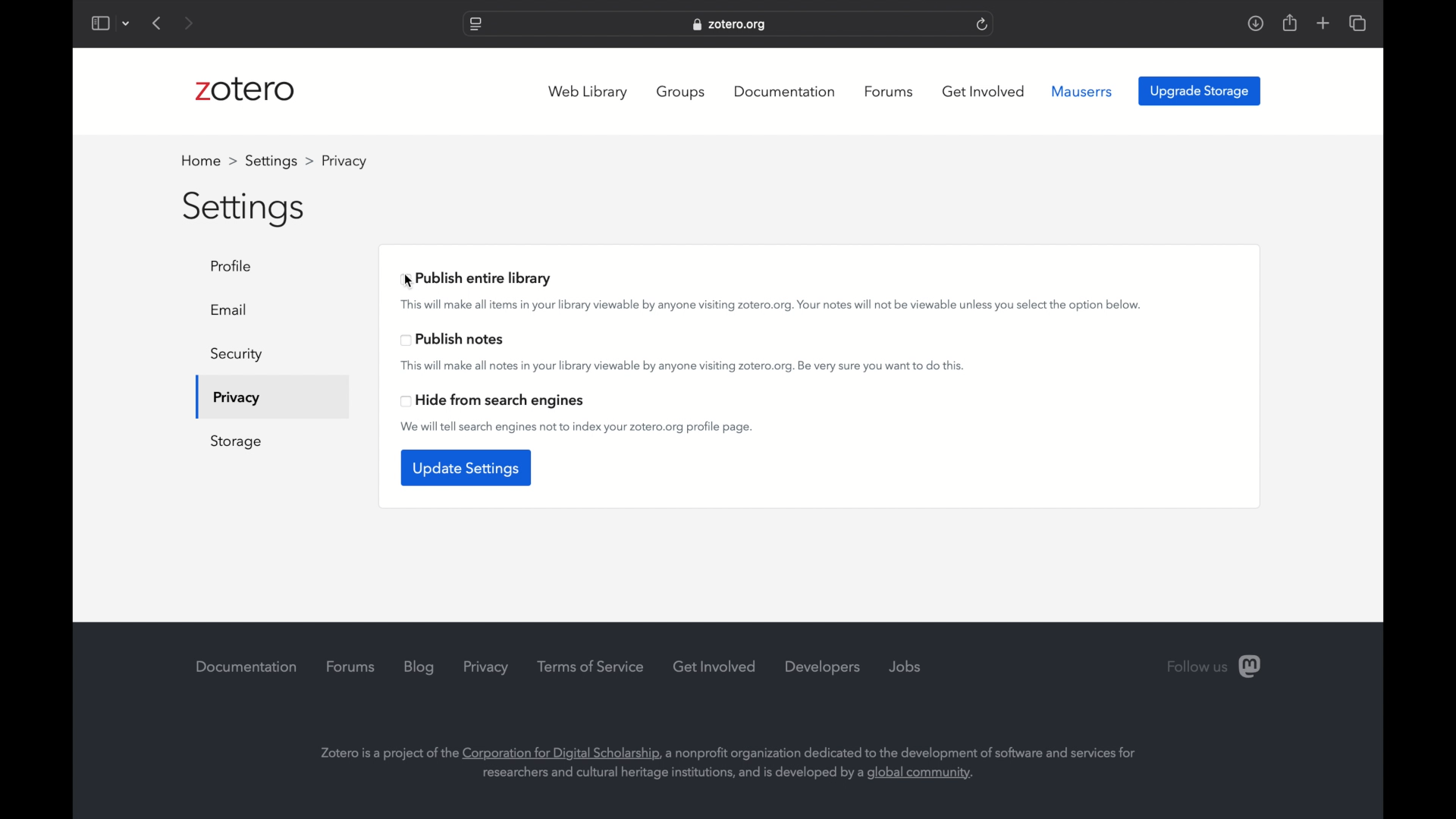 The width and height of the screenshot is (1456, 819). Describe the element at coordinates (1324, 23) in the screenshot. I see `add` at that location.